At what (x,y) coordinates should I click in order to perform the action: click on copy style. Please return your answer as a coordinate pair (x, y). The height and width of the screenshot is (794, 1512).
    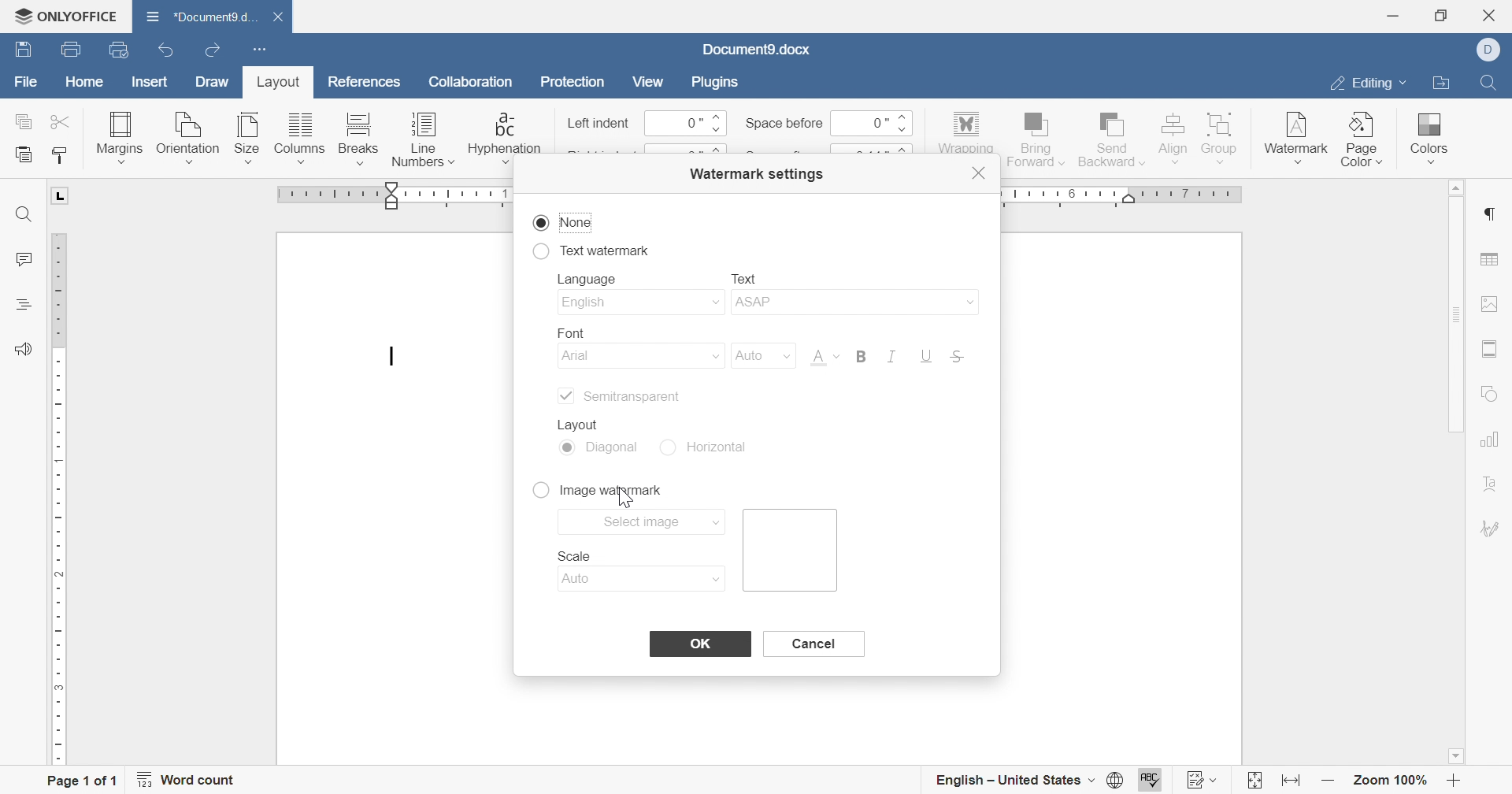
    Looking at the image, I should click on (61, 155).